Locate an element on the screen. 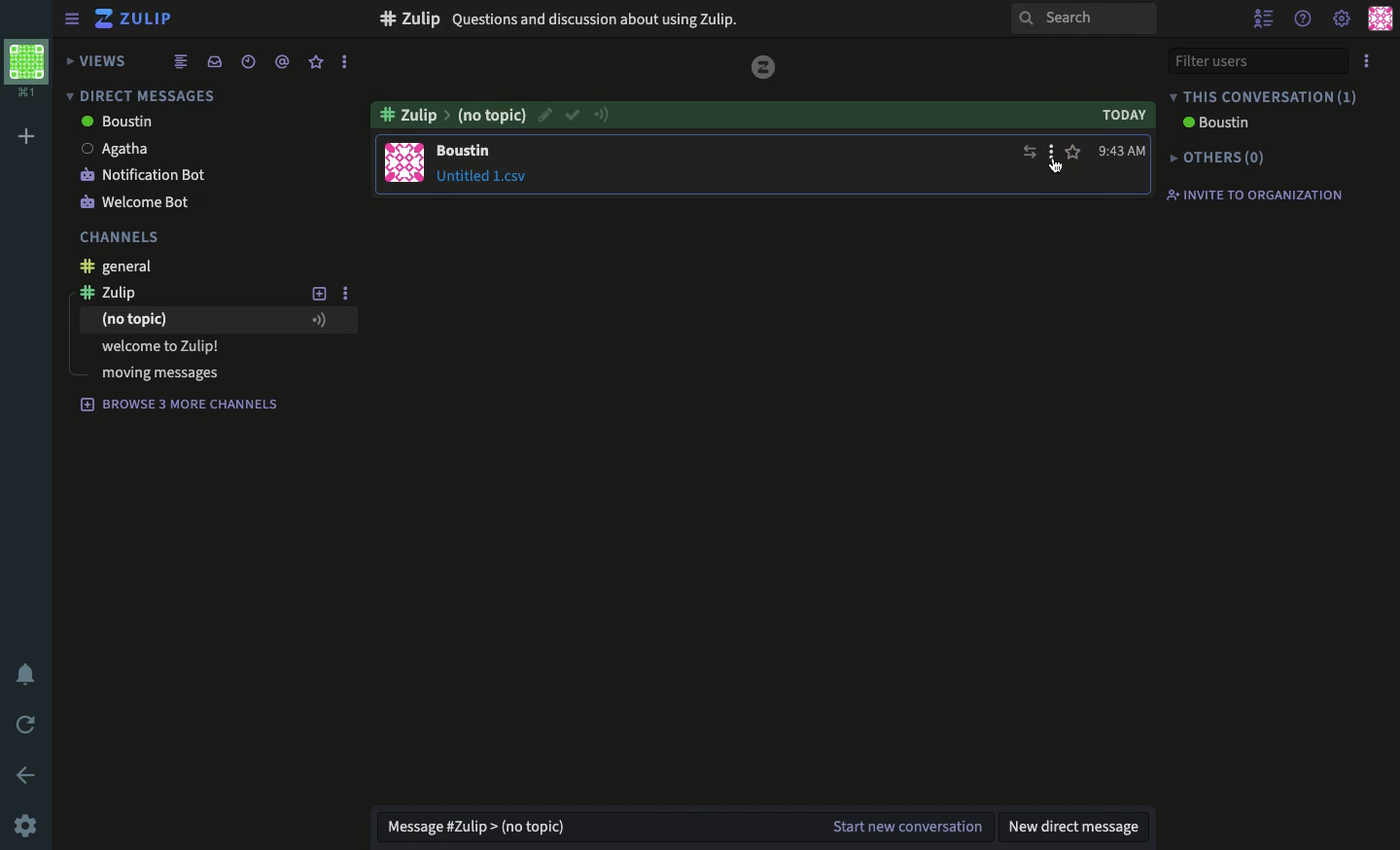 This screenshot has width=1400, height=850. move message is located at coordinates (1027, 152).